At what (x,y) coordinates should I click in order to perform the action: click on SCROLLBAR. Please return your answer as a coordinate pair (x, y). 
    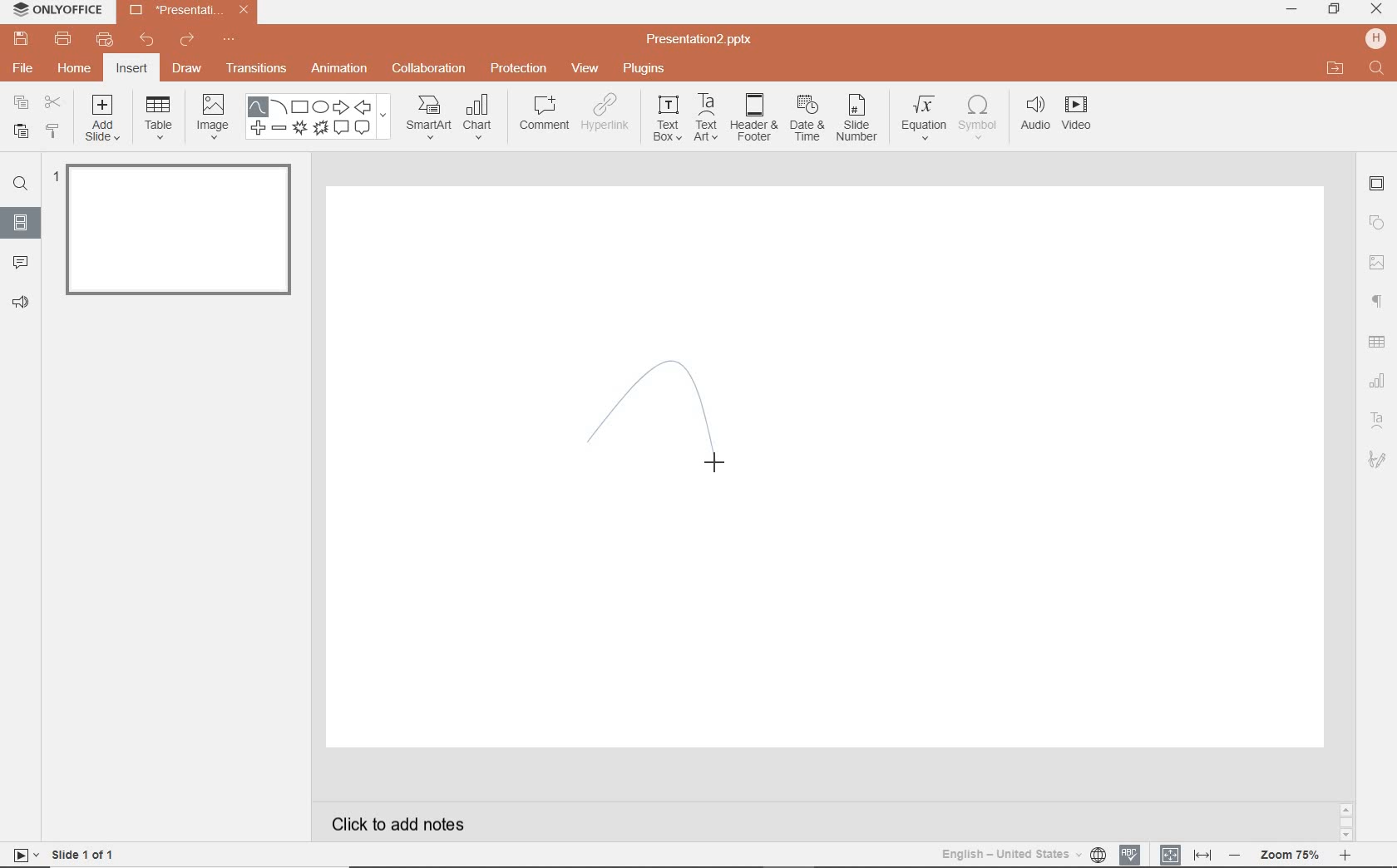
    Looking at the image, I should click on (1345, 820).